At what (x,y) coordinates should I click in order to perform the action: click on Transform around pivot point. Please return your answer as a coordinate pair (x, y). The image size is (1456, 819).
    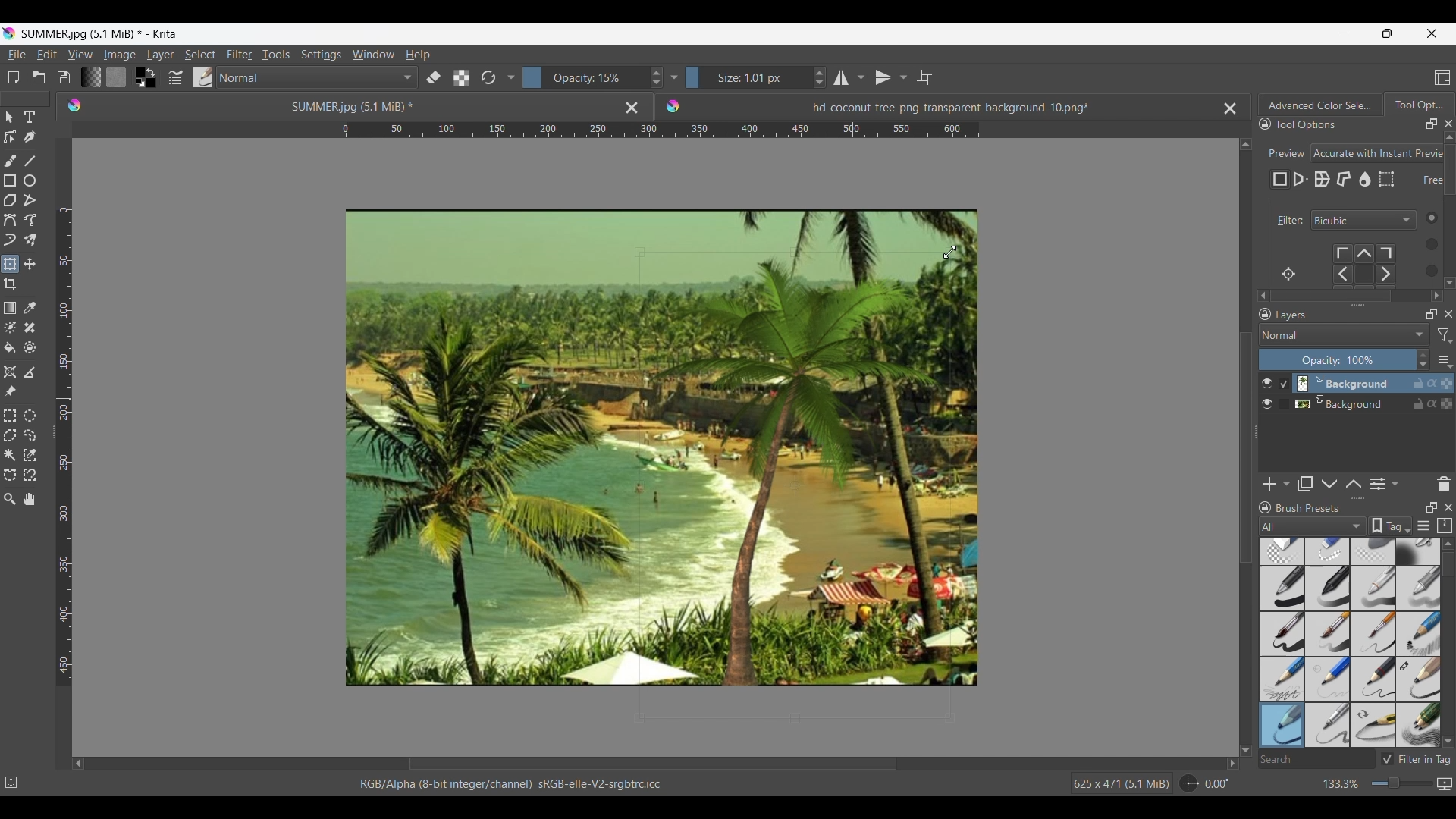
    Looking at the image, I should click on (1288, 274).